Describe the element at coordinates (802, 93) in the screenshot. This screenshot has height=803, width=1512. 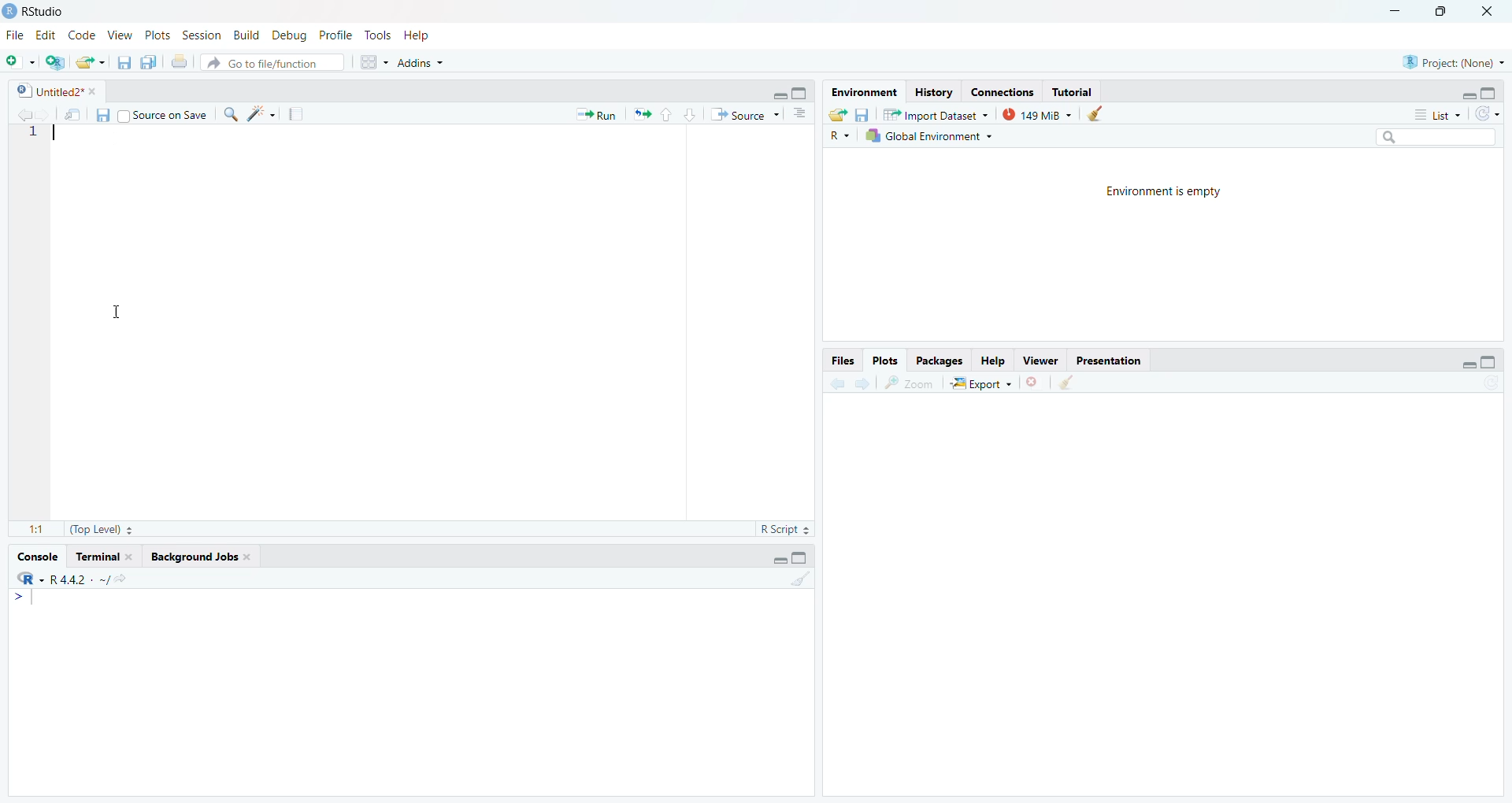
I see `Maximize` at that location.